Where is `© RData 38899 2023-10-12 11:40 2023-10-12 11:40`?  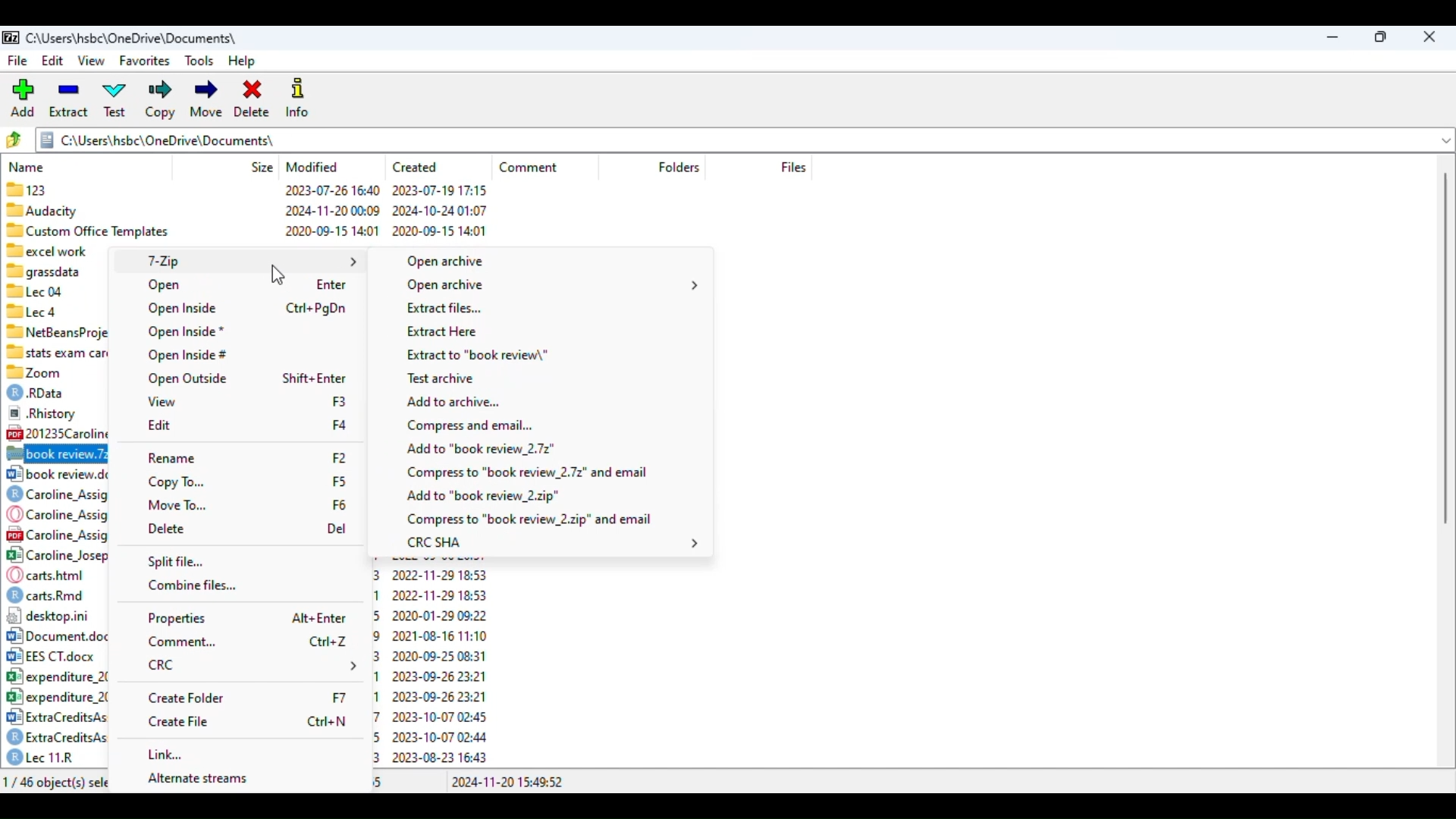 © RData 38899 2023-10-12 11:40 2023-10-12 11:40 is located at coordinates (53, 391).